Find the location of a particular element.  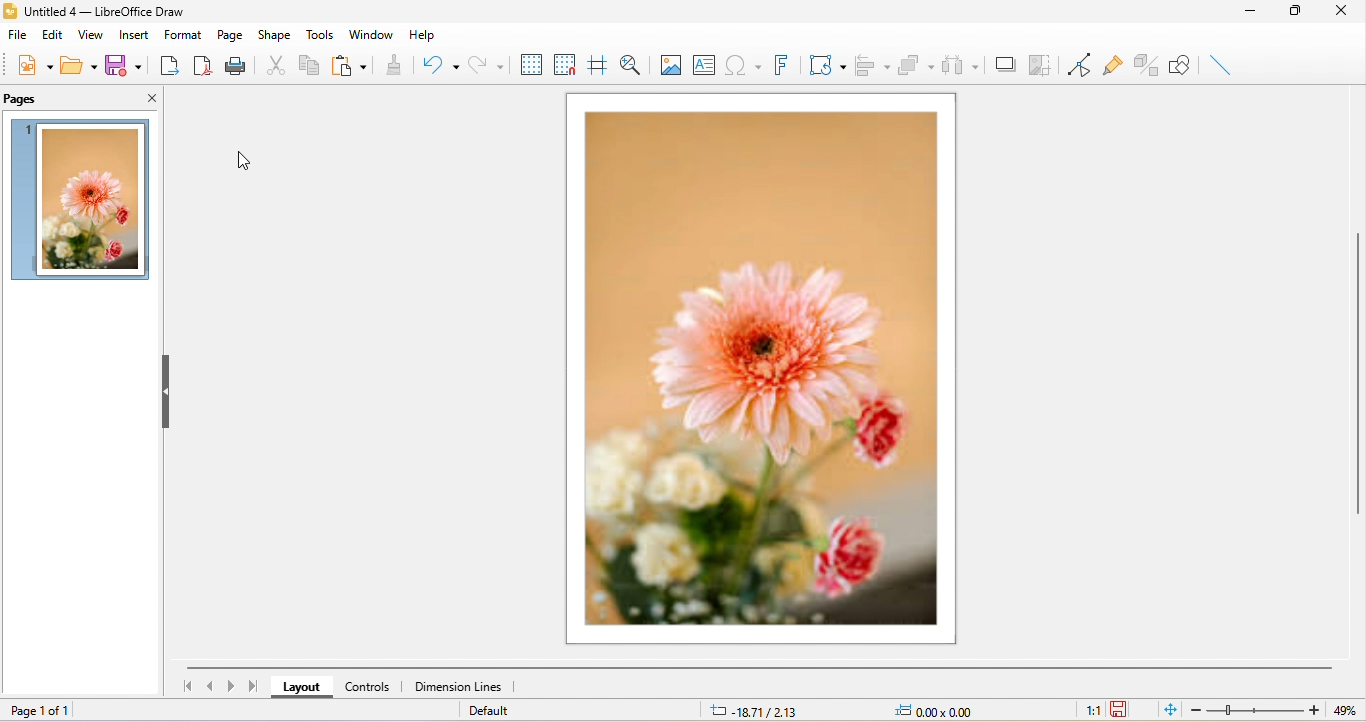

file is located at coordinates (20, 36).